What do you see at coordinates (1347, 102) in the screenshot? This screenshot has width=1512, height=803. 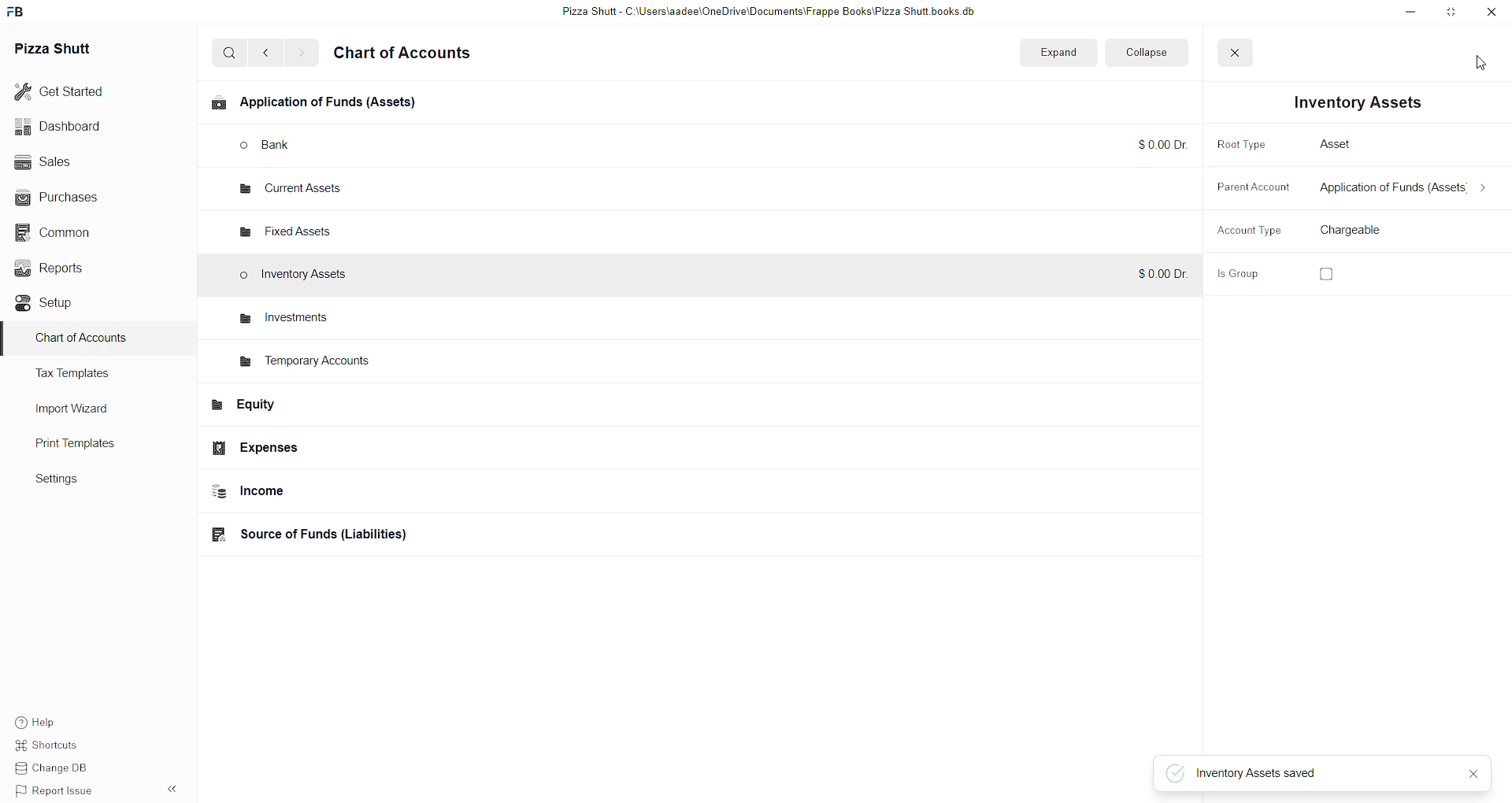 I see `Inventory Assets ` at bounding box center [1347, 102].